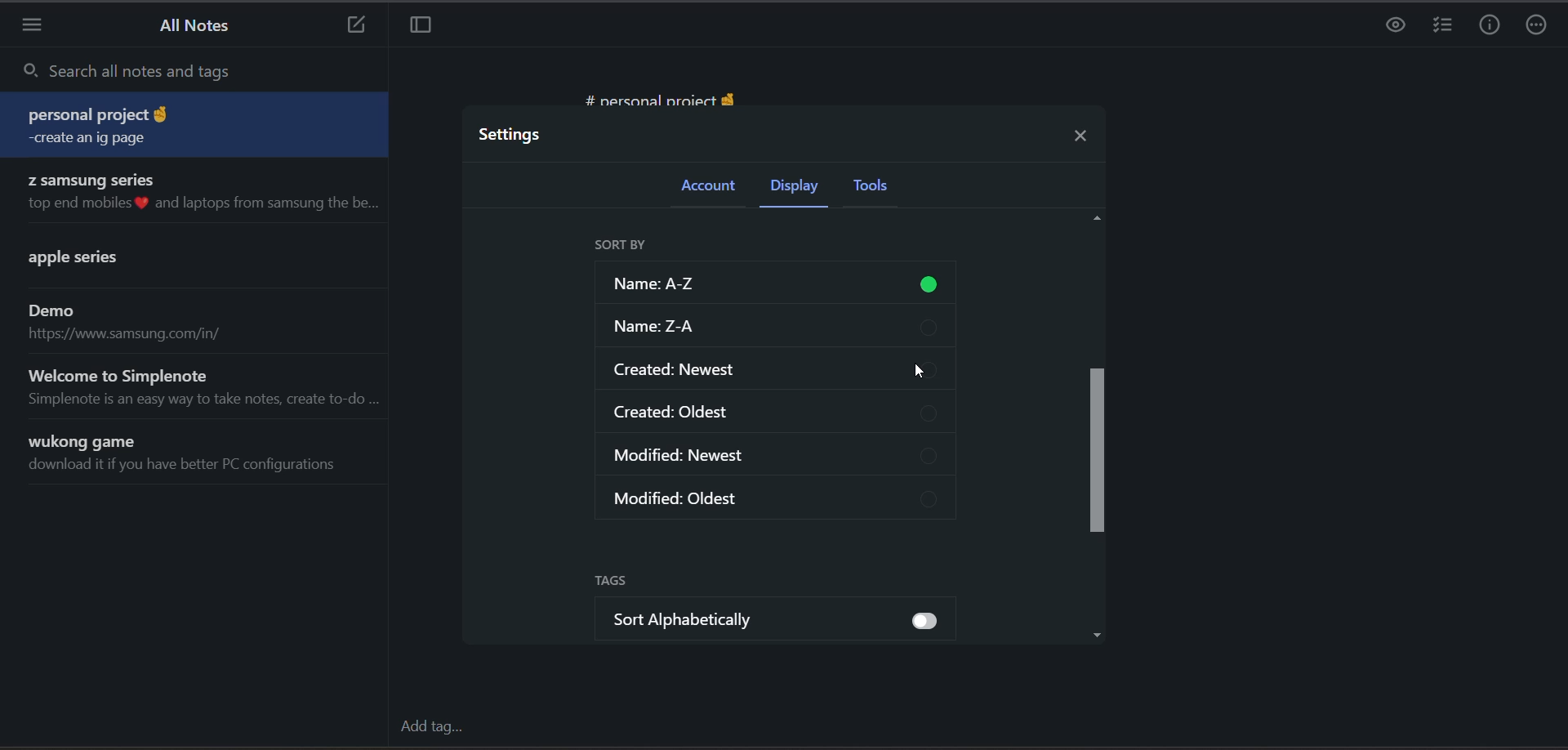 The height and width of the screenshot is (750, 1568). I want to click on note title and preview, so click(197, 127).